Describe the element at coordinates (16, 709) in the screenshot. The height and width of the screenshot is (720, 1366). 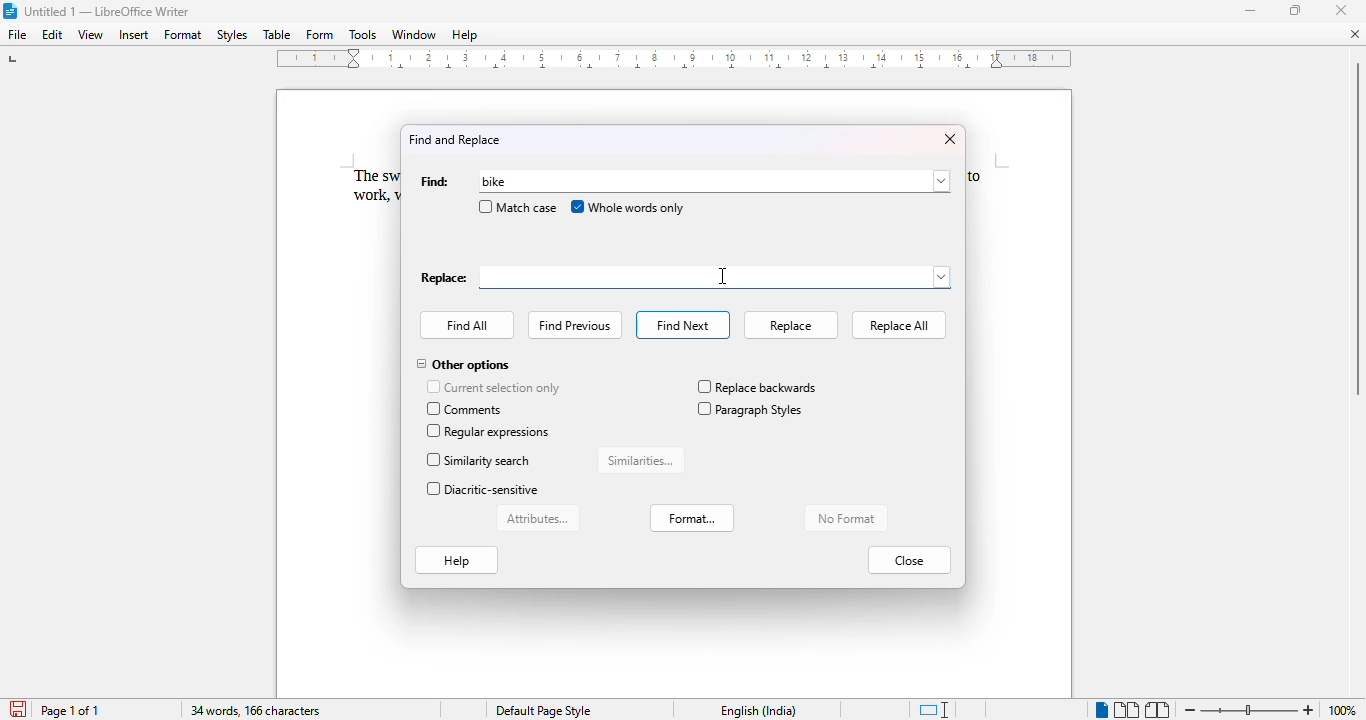
I see `save document` at that location.